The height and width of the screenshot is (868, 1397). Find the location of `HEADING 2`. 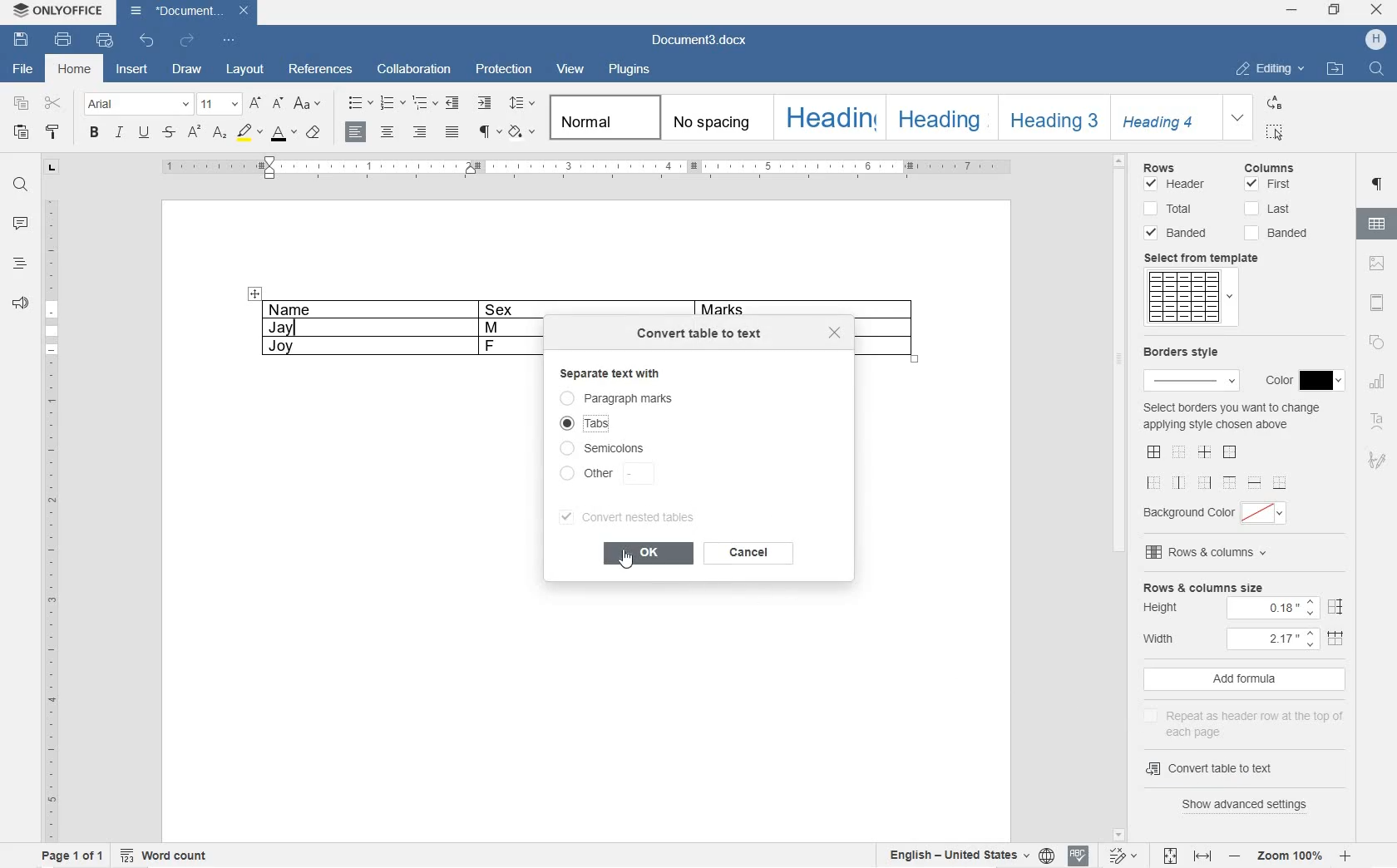

HEADING 2 is located at coordinates (942, 118).